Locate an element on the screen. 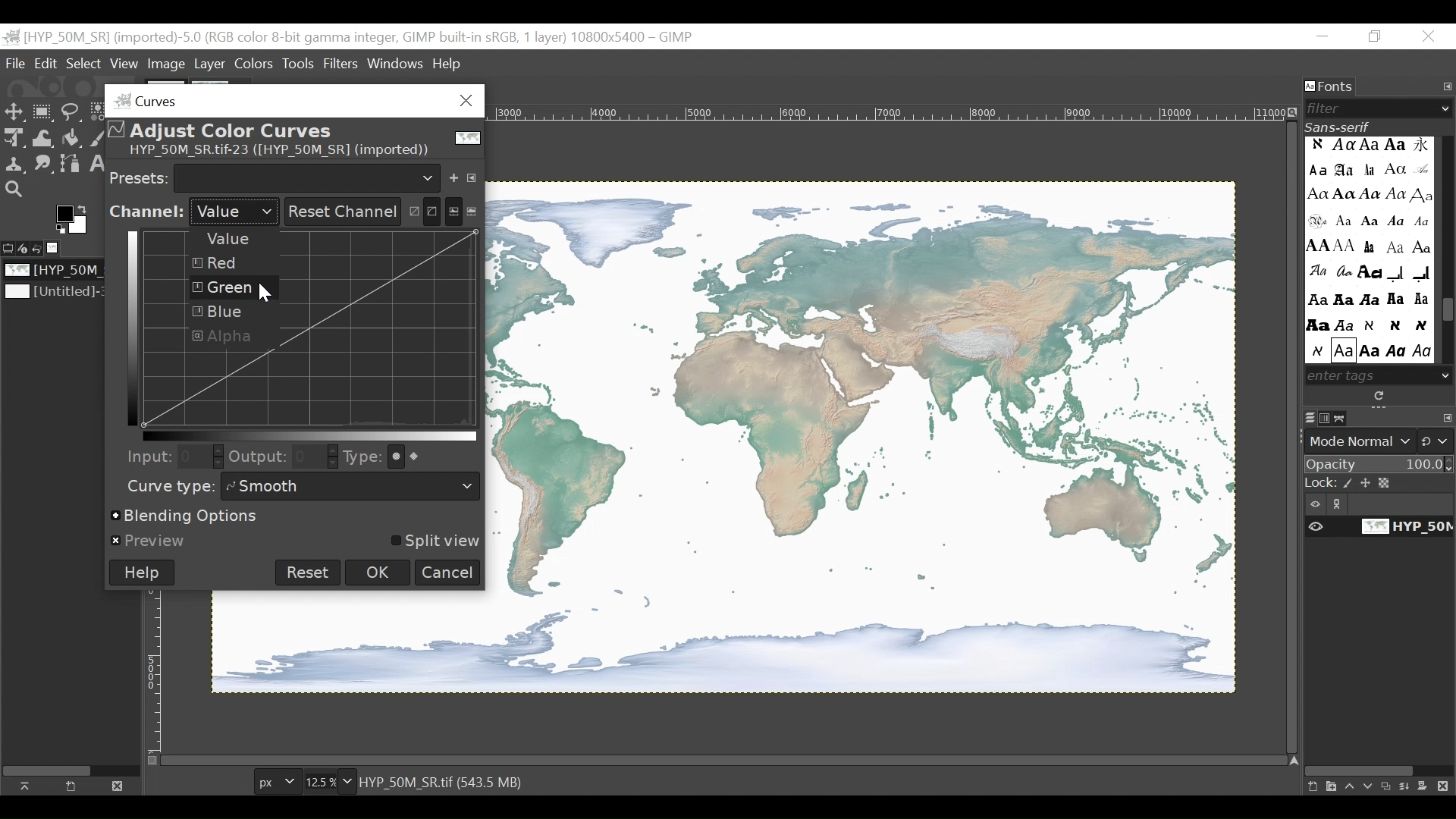 The width and height of the screenshot is (1456, 819). Unified Transform tool is located at coordinates (12, 137).